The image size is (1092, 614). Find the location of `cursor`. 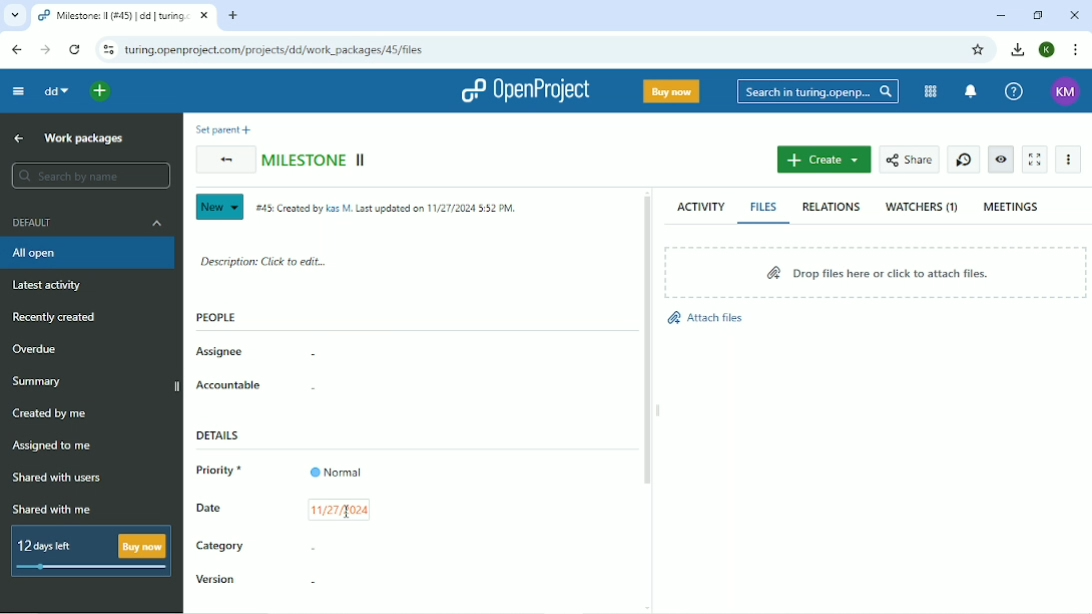

cursor is located at coordinates (345, 512).